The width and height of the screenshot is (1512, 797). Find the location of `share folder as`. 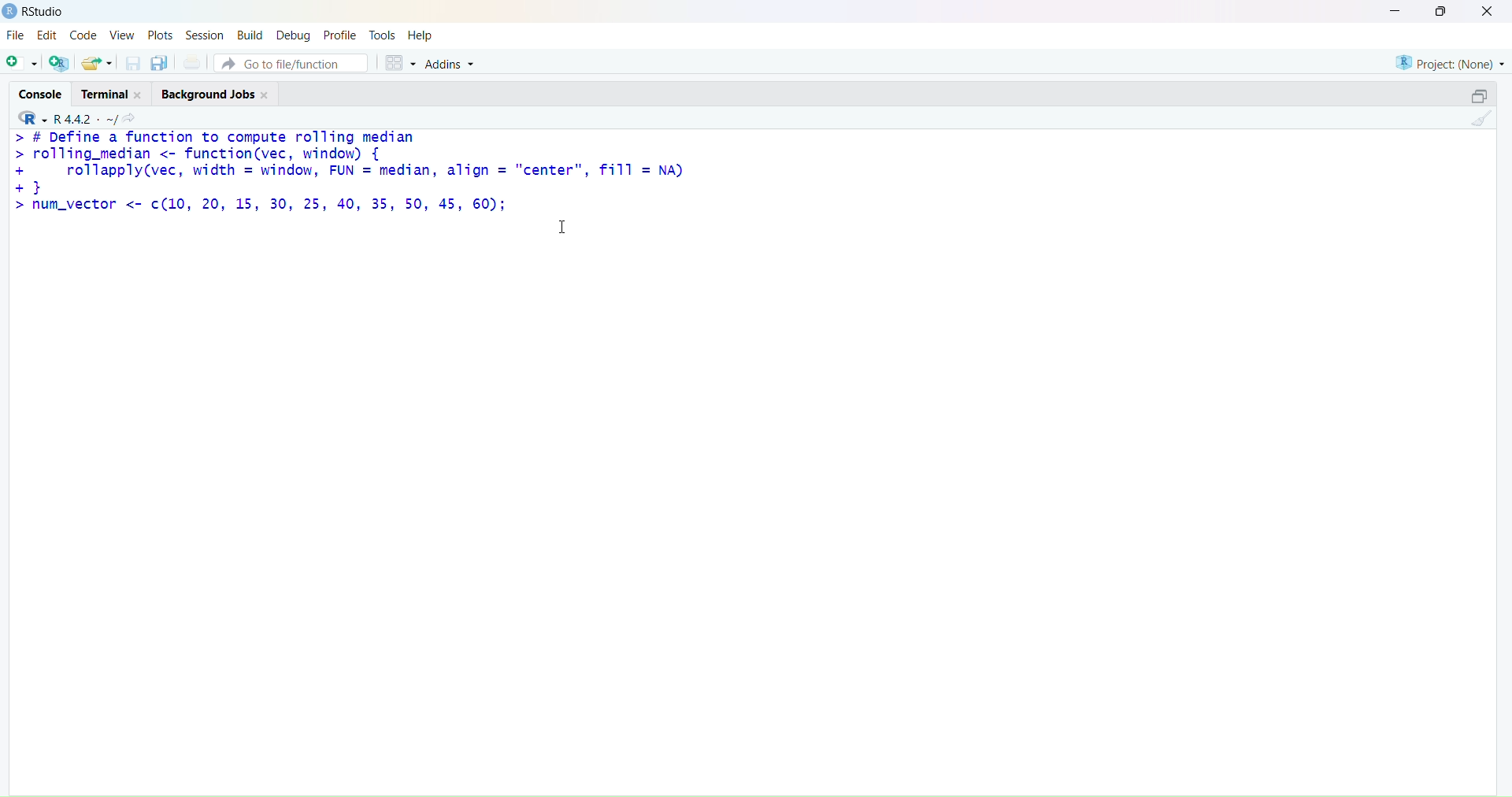

share folder as is located at coordinates (97, 63).